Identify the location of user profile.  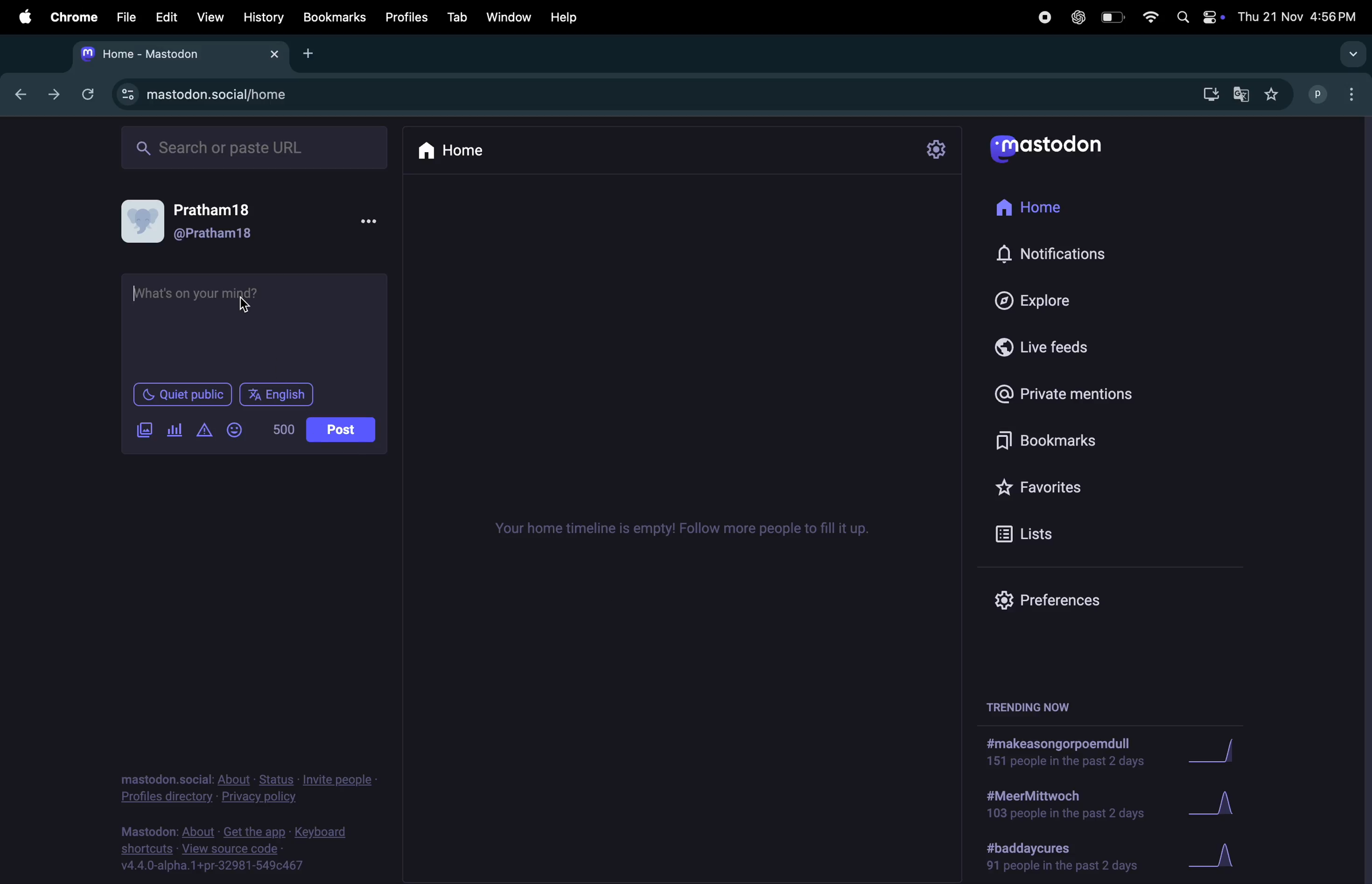
(256, 224).